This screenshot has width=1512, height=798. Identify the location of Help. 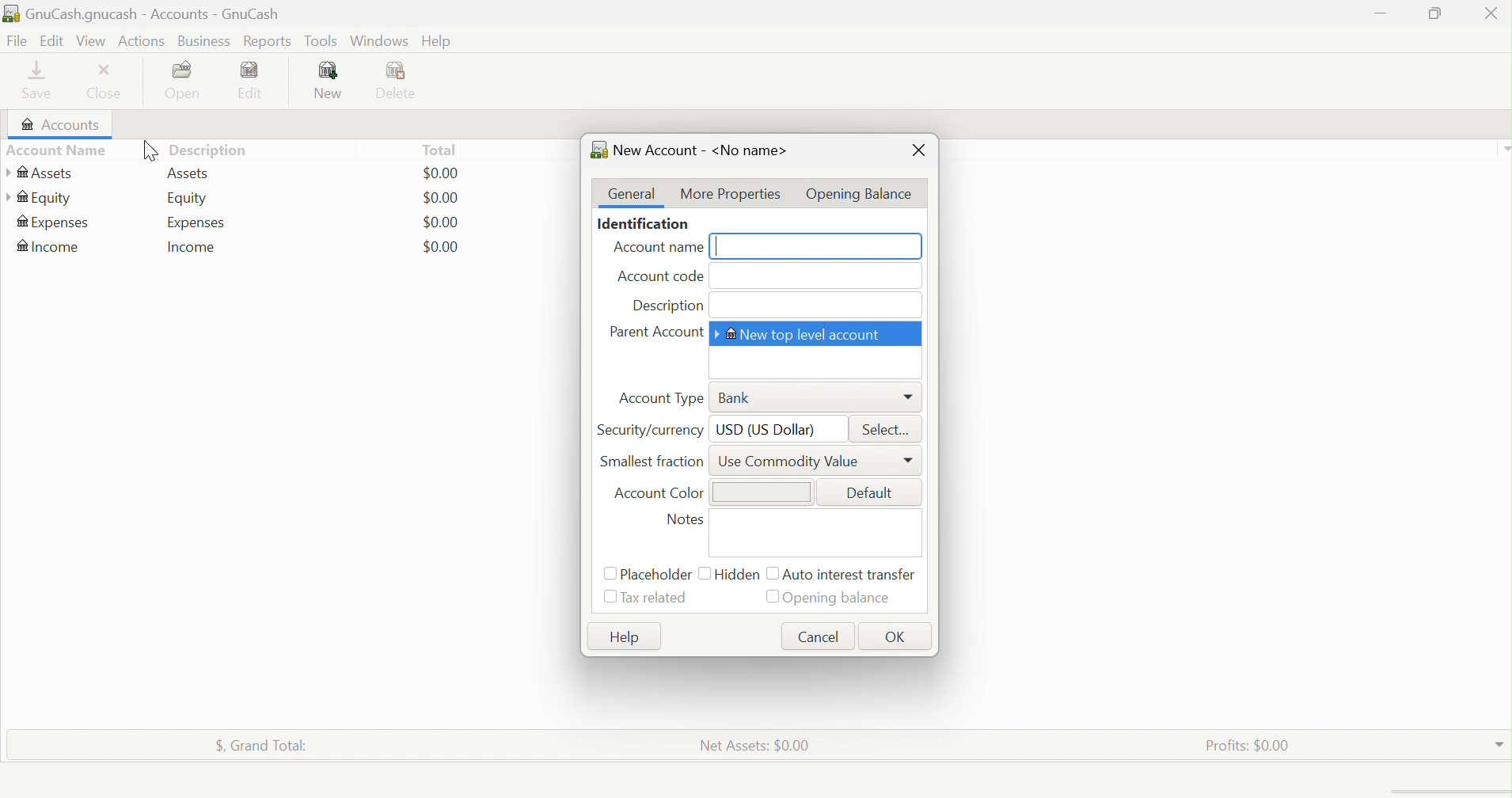
(622, 637).